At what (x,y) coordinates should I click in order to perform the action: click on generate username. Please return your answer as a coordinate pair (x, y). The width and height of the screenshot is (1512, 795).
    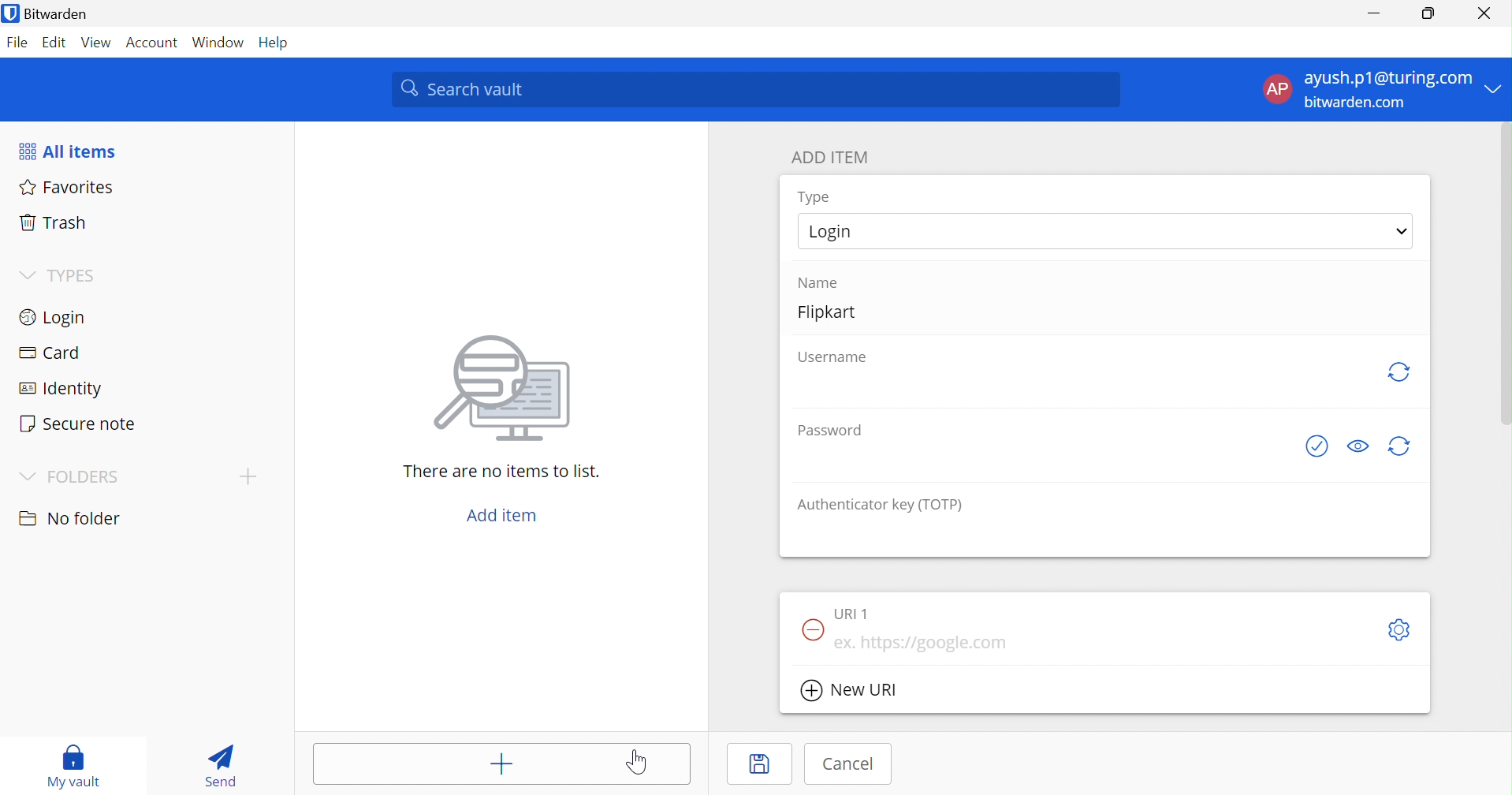
    Looking at the image, I should click on (1400, 370).